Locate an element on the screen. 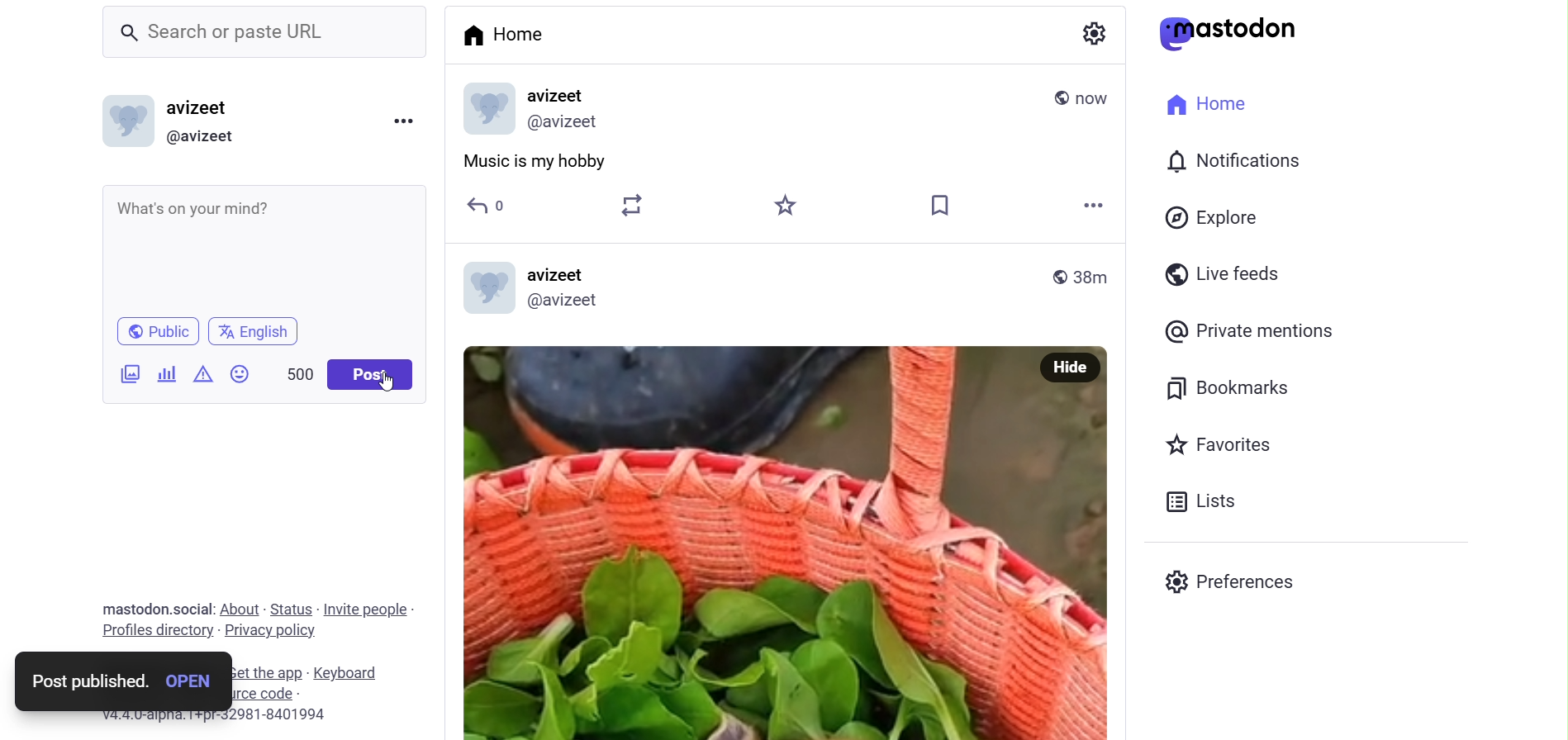  English is located at coordinates (259, 330).